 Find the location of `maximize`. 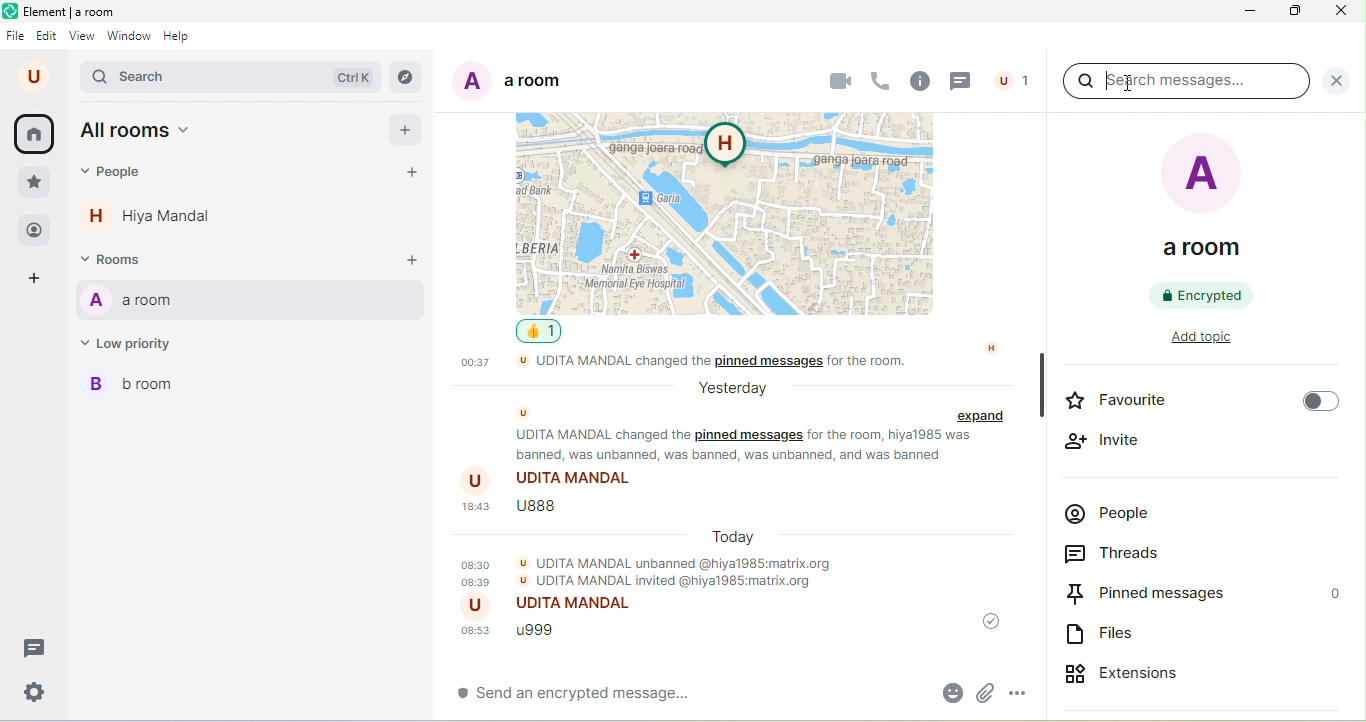

maximize is located at coordinates (1297, 14).